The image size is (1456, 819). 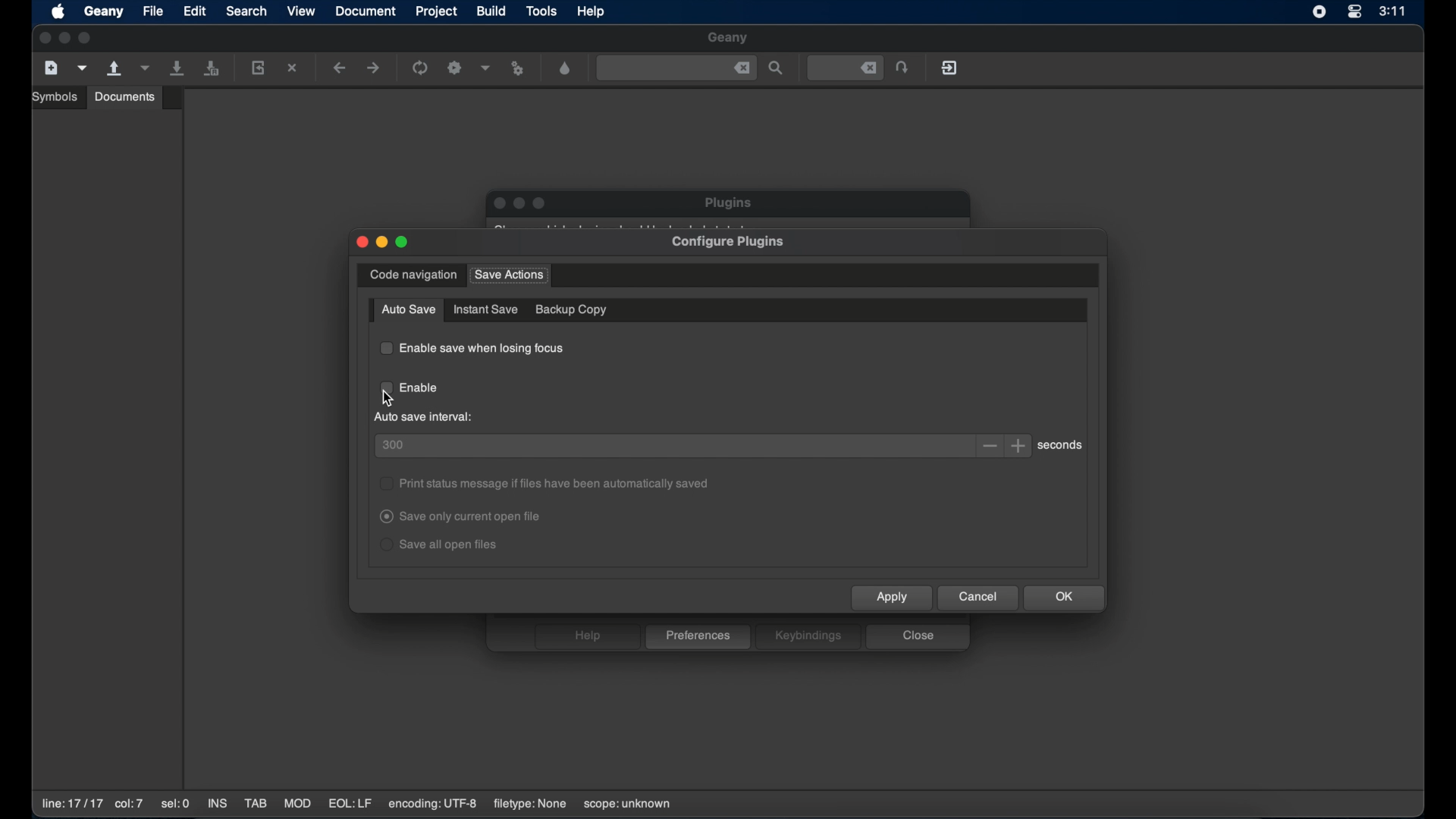 I want to click on symbols, so click(x=57, y=97).